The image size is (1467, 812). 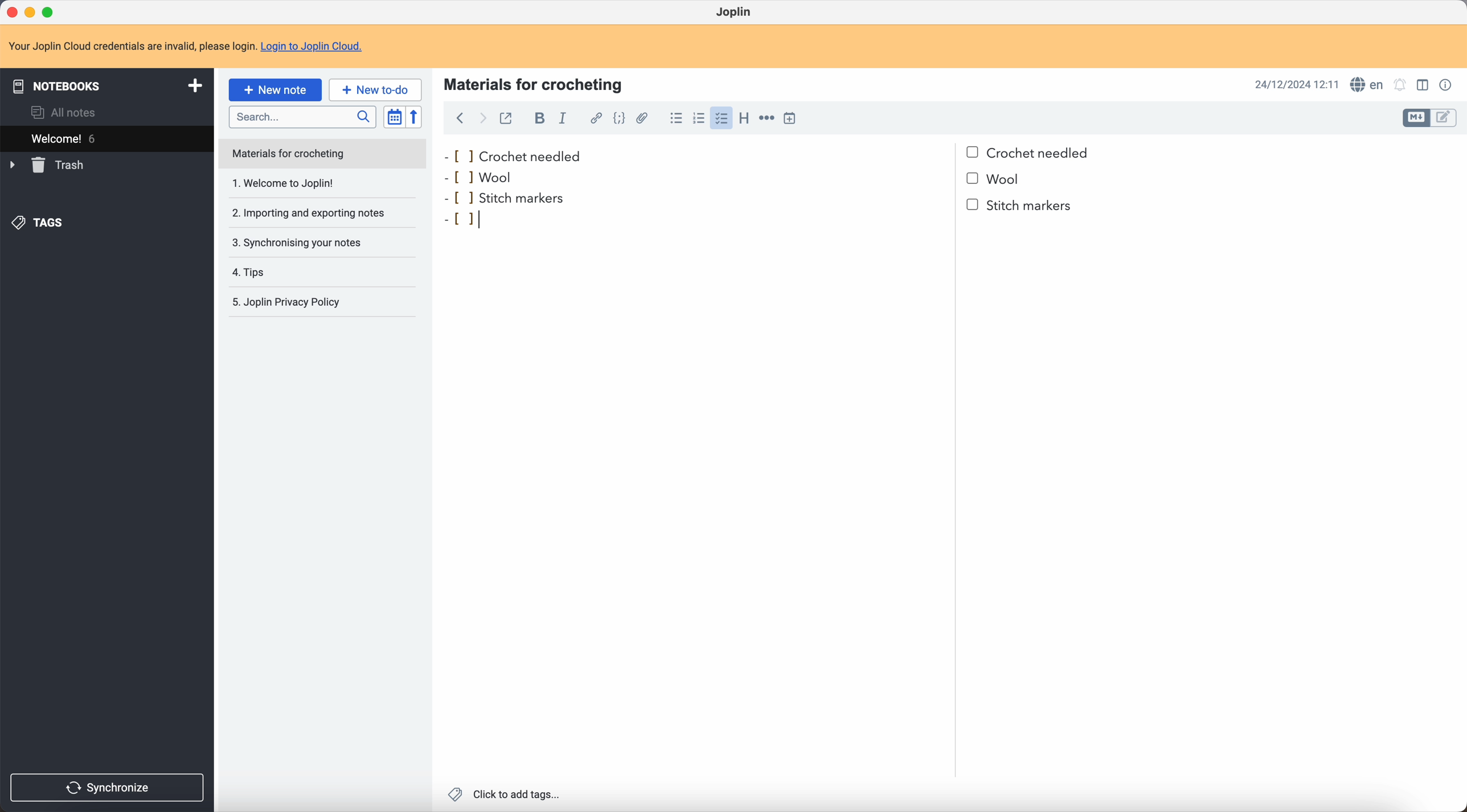 I want to click on close, so click(x=14, y=12).